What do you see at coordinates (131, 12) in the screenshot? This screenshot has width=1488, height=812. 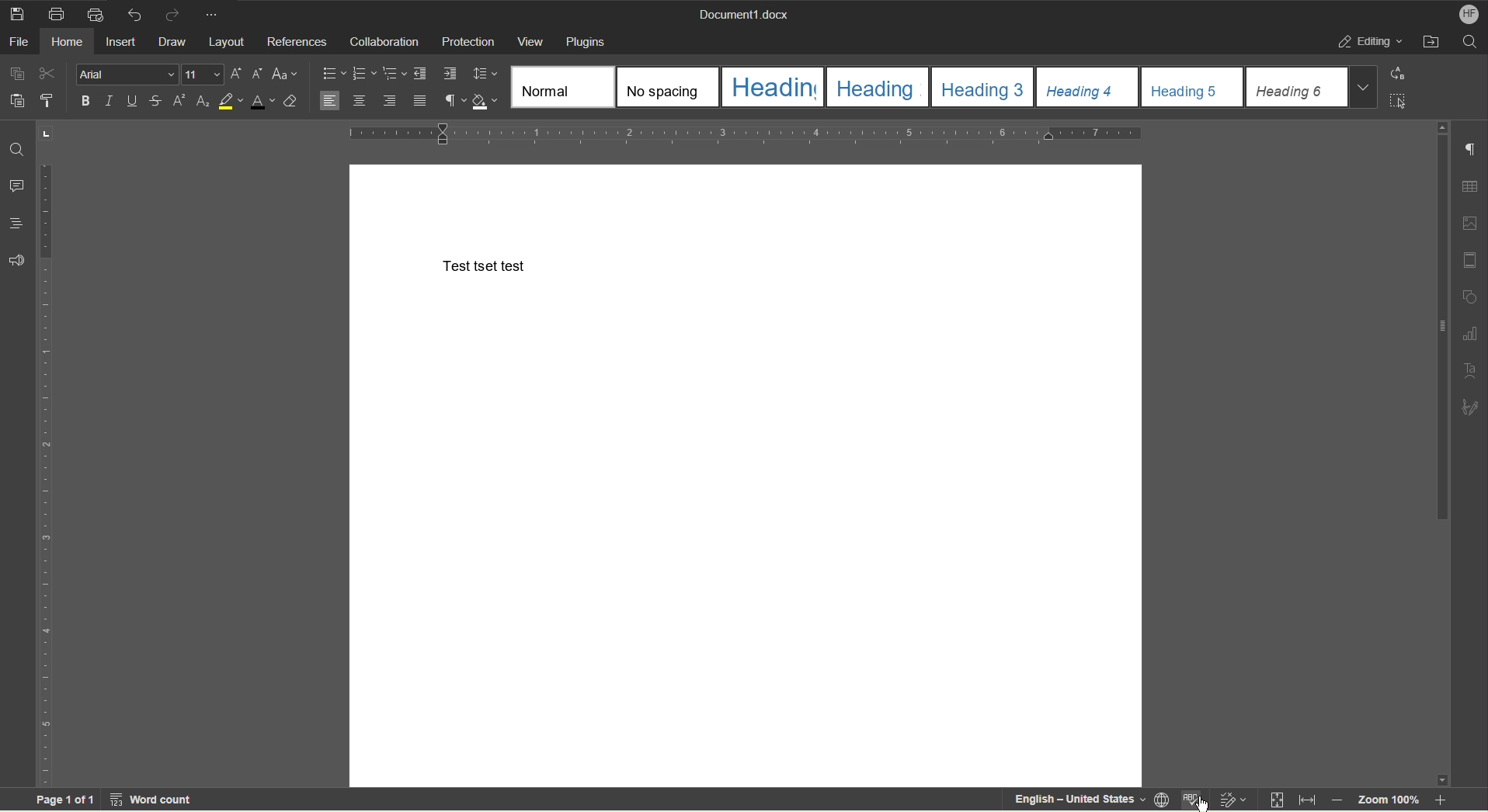 I see `Undo` at bounding box center [131, 12].